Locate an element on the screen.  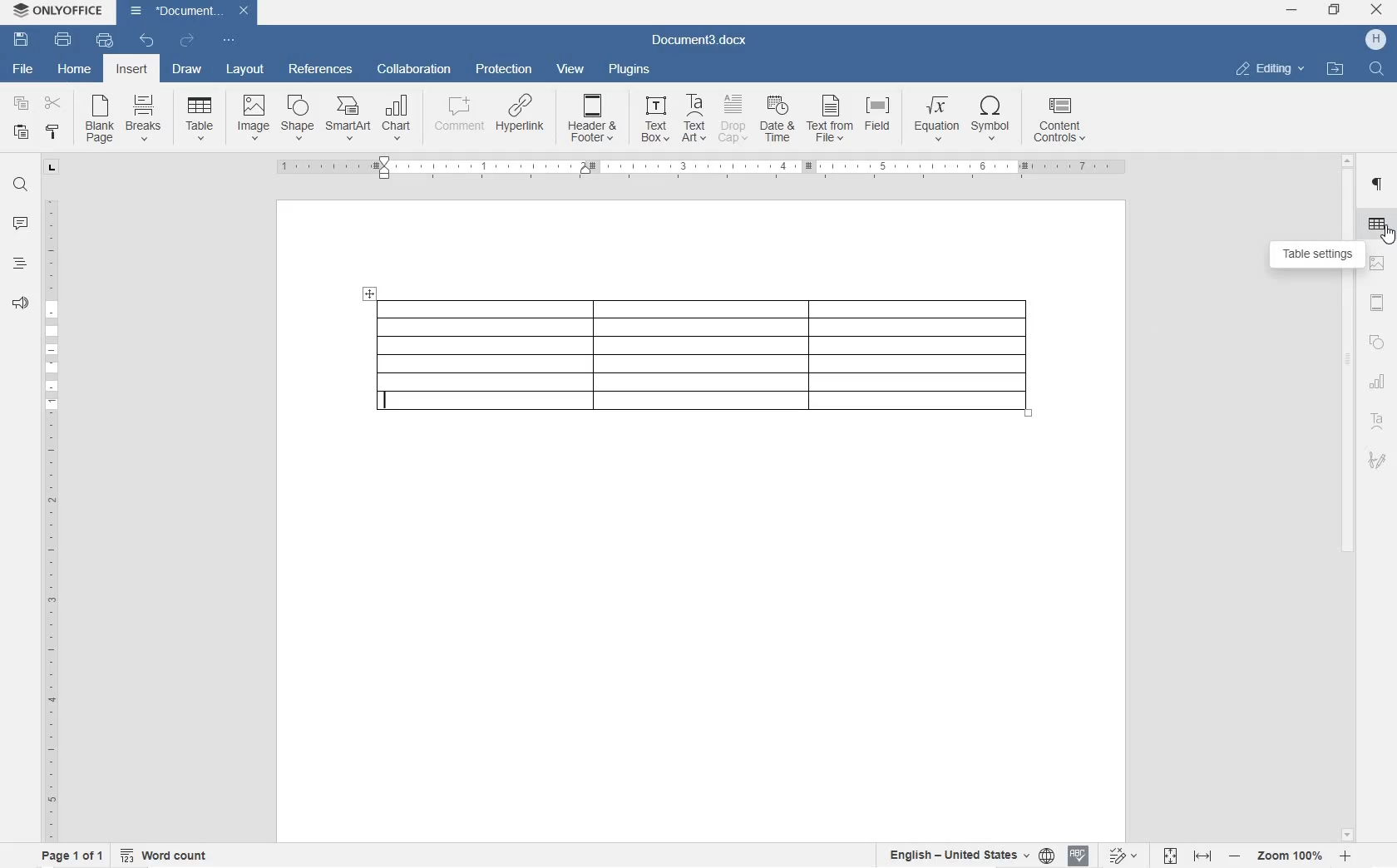
TABLE is located at coordinates (200, 121).